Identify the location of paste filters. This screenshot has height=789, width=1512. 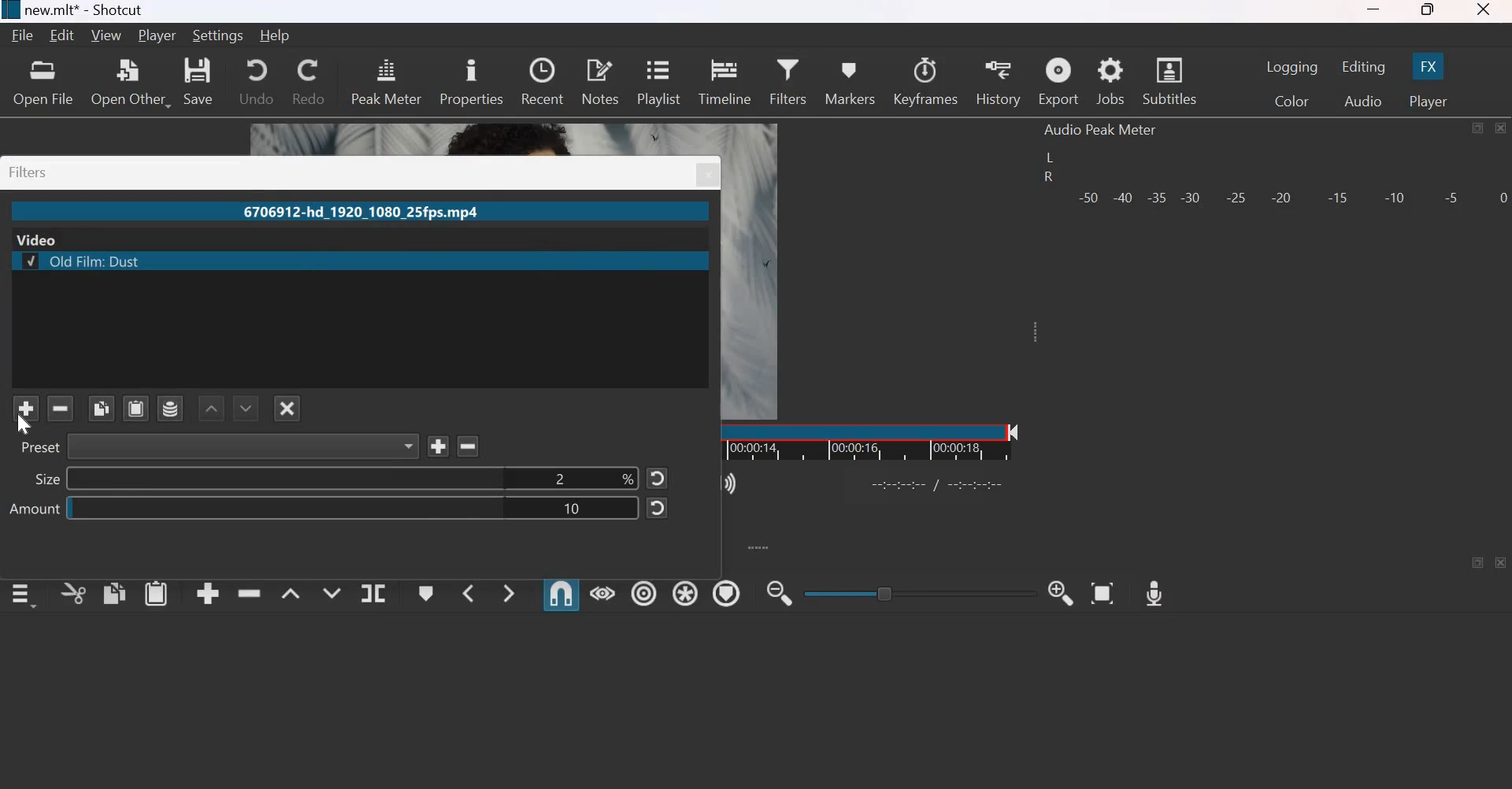
(136, 408).